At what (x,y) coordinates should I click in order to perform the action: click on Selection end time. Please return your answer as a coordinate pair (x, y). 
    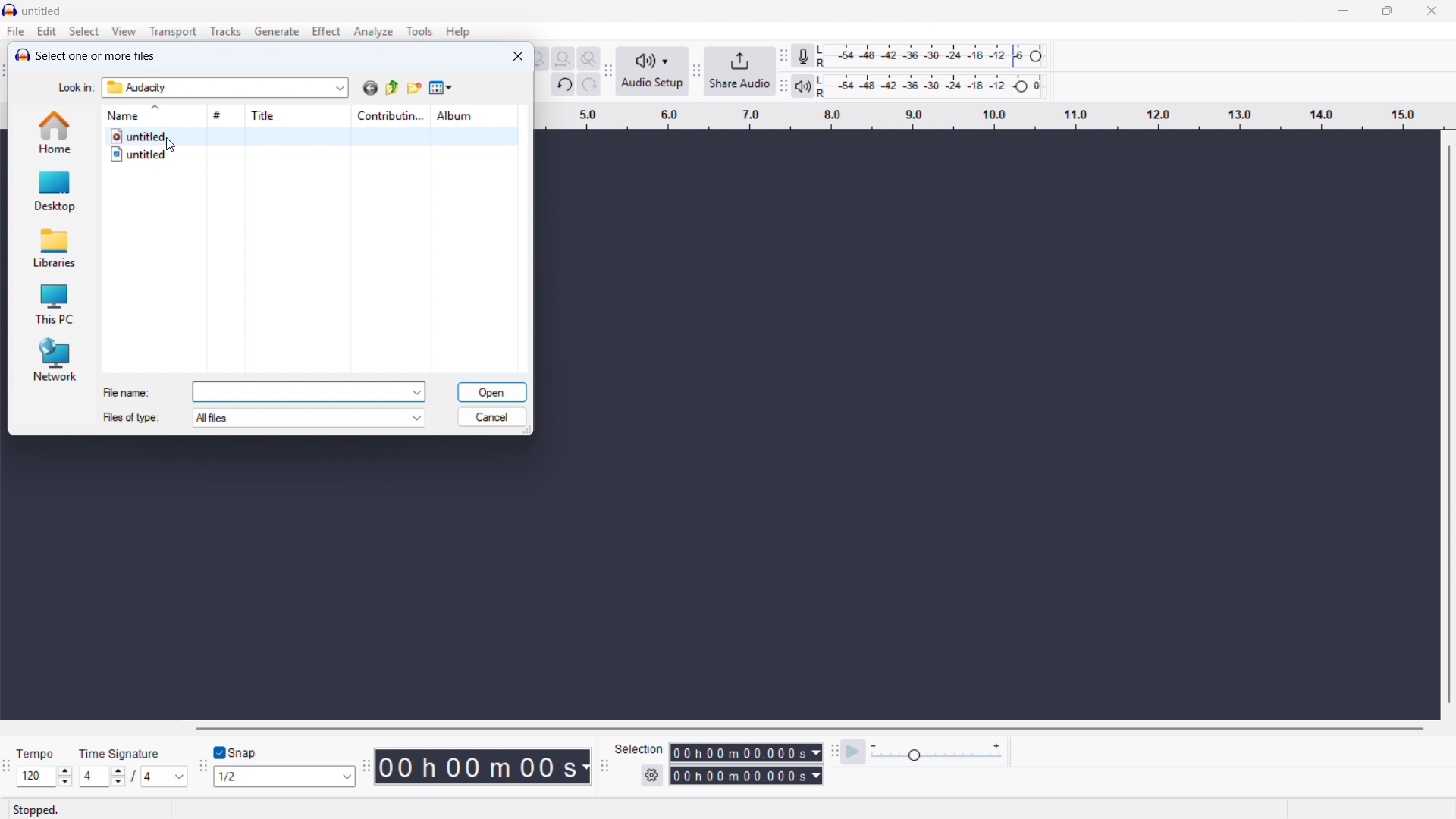
    Looking at the image, I should click on (745, 776).